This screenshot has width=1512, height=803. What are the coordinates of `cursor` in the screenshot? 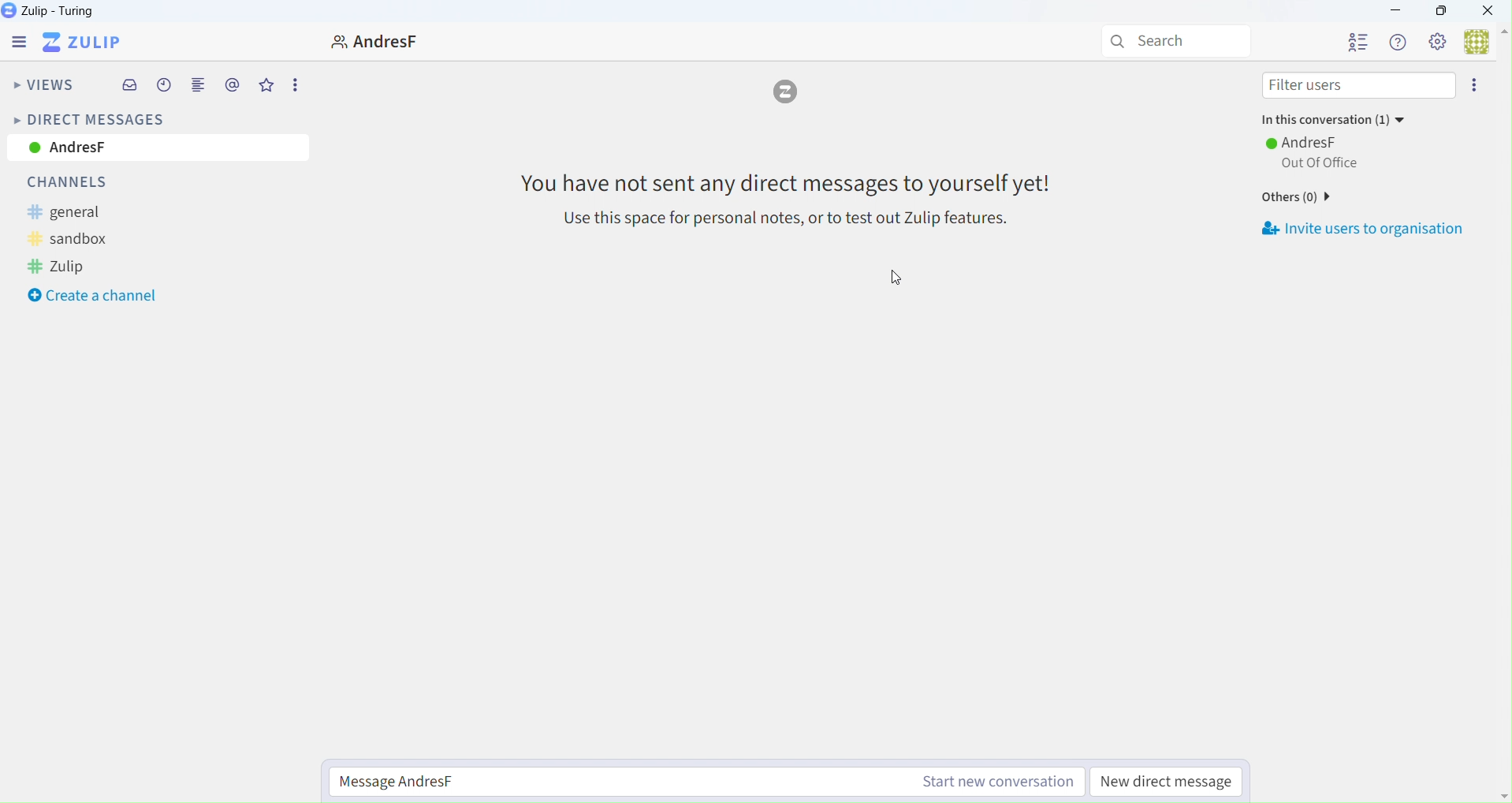 It's located at (899, 276).